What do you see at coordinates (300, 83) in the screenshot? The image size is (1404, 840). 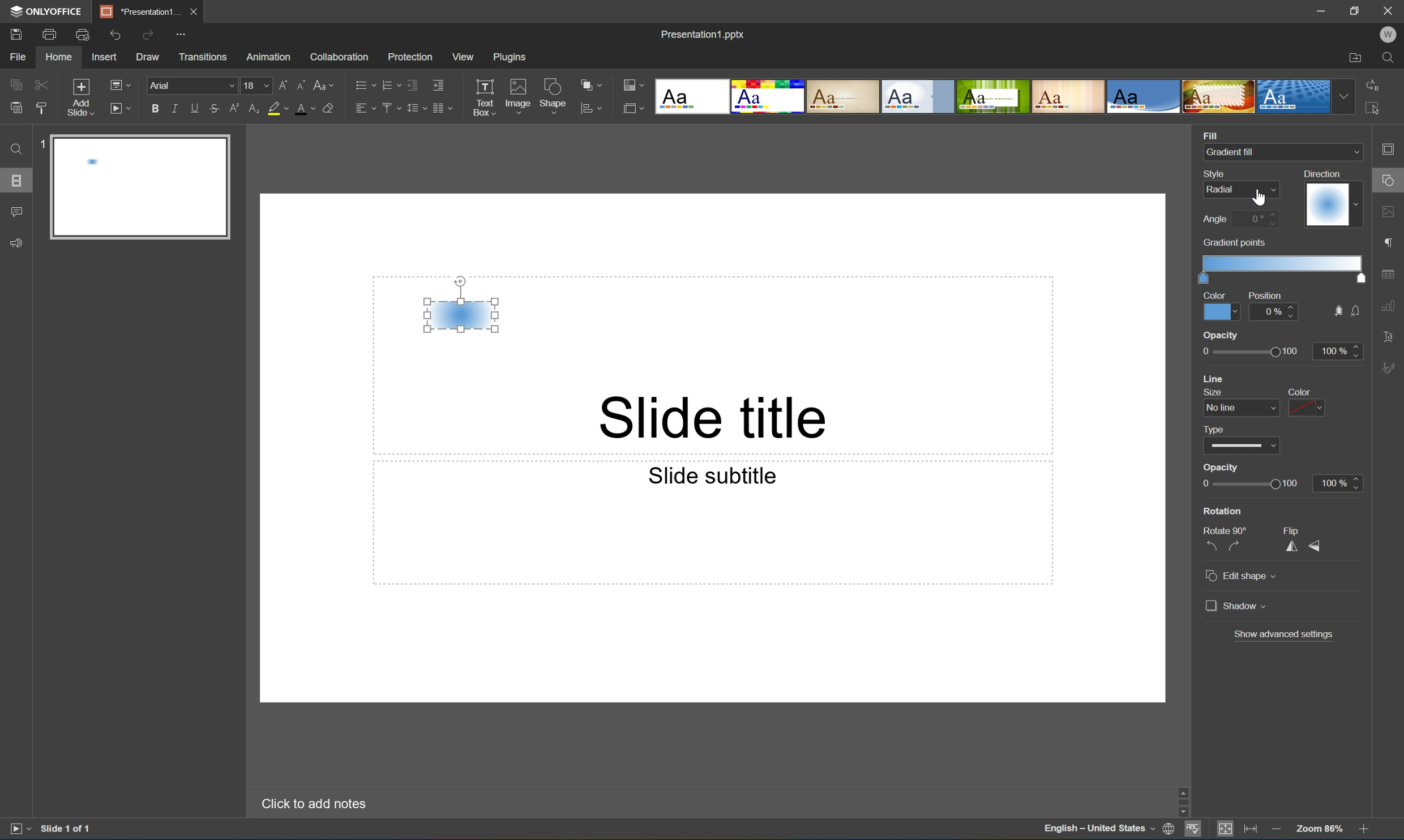 I see `Decrement font size` at bounding box center [300, 83].